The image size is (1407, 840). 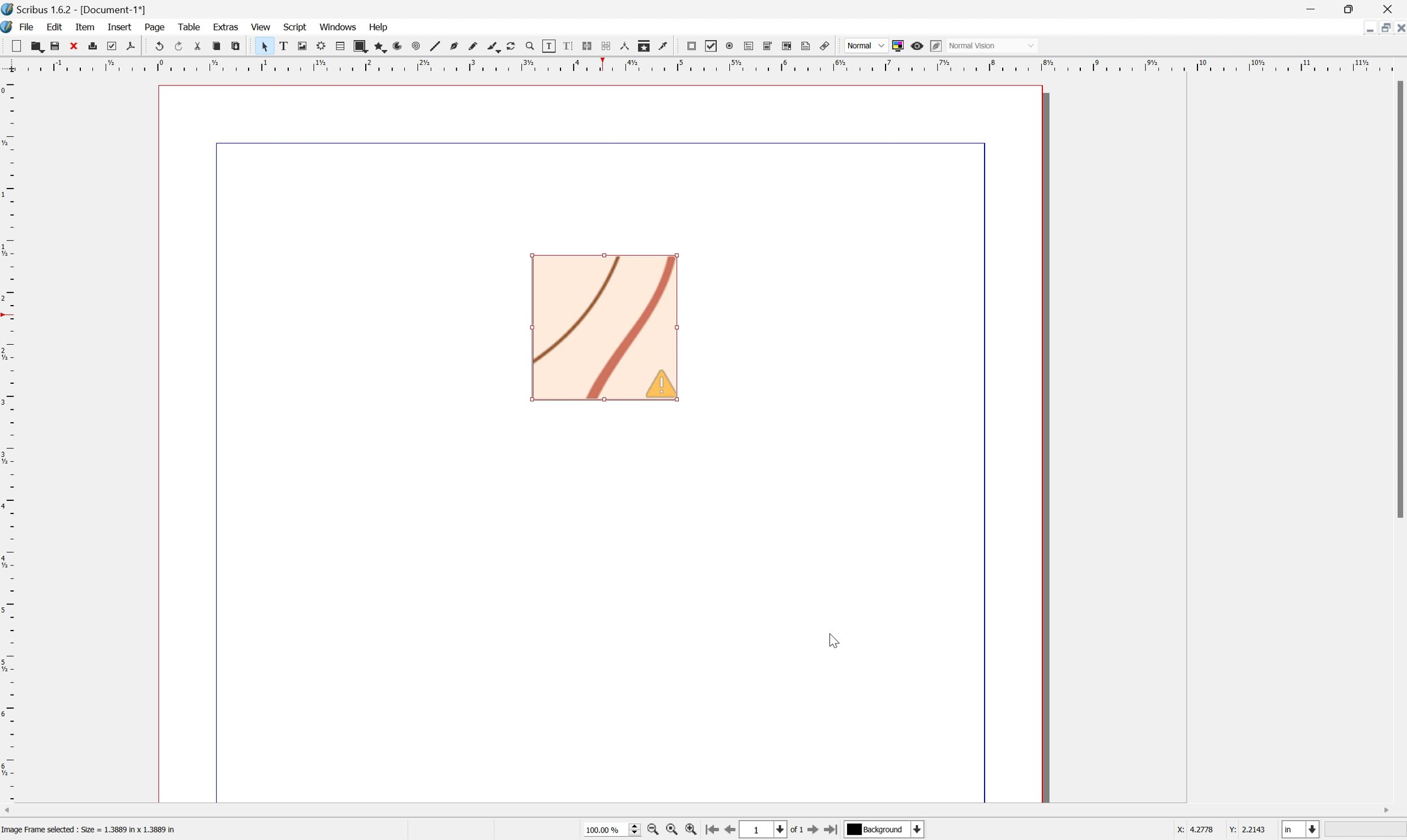 I want to click on Image frame, so click(x=301, y=44).